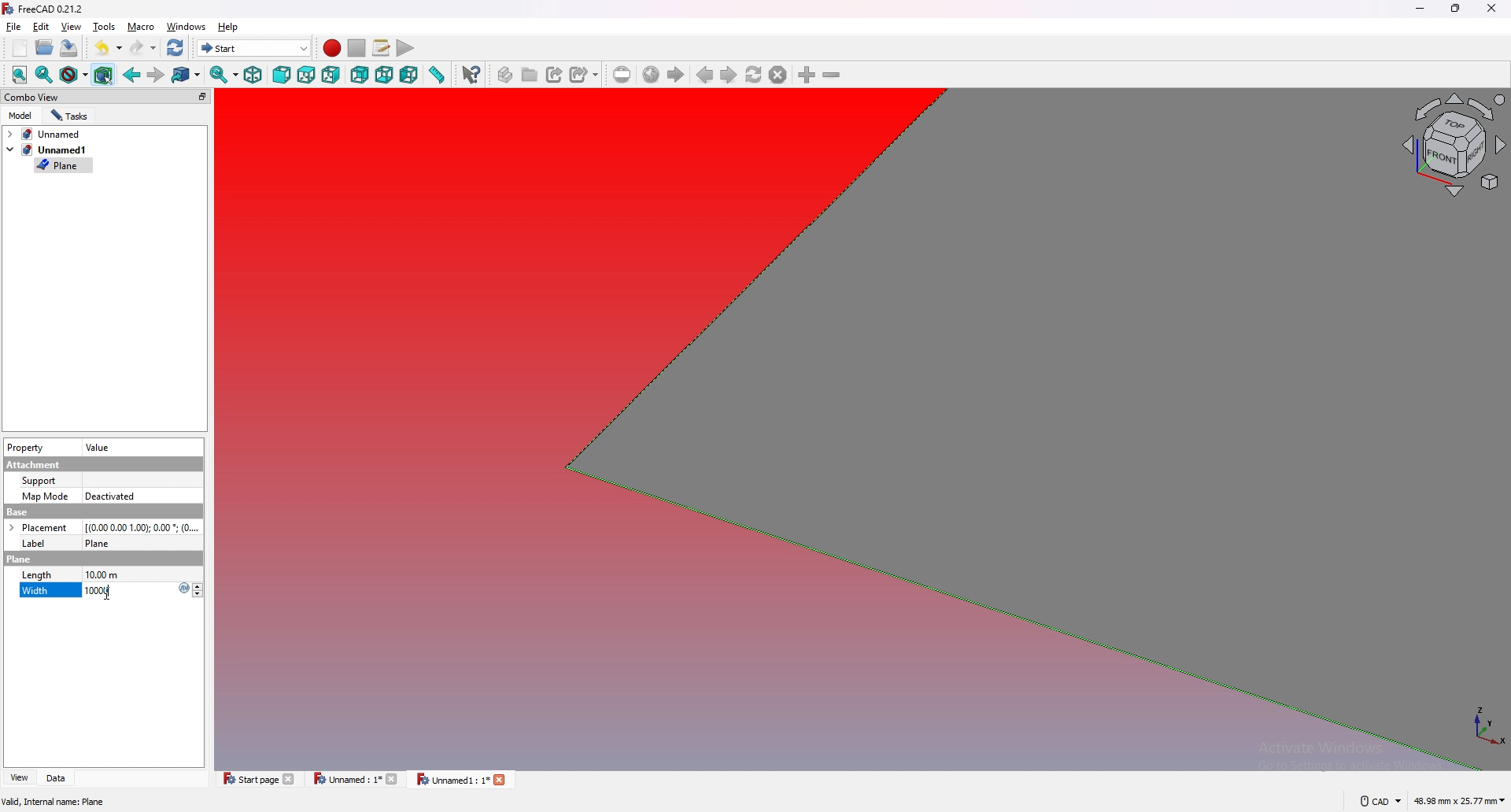 The height and width of the screenshot is (812, 1511). Describe the element at coordinates (461, 781) in the screenshot. I see `Unnamed 1 : 1*` at that location.